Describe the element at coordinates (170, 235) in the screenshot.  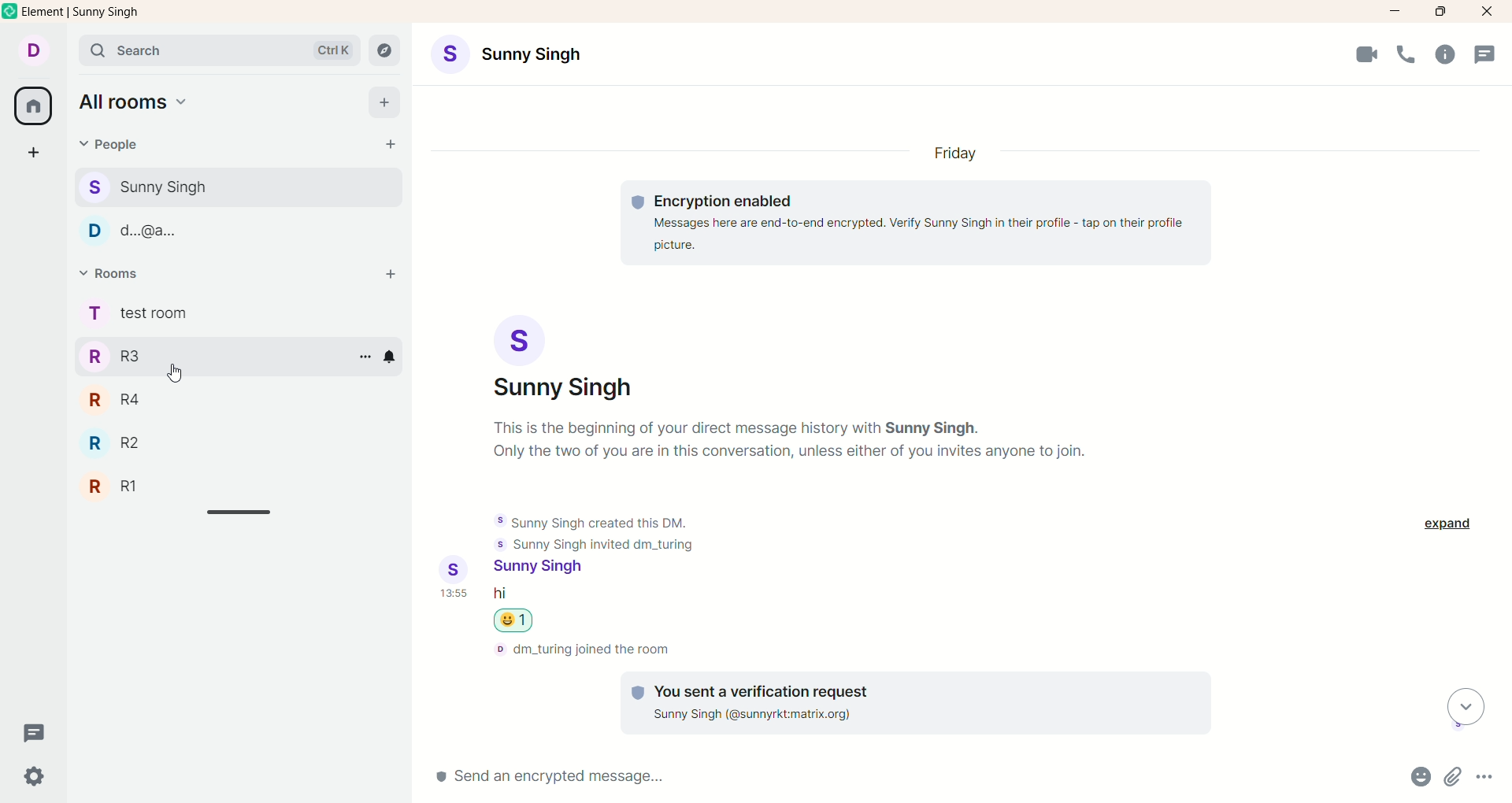
I see `people` at that location.